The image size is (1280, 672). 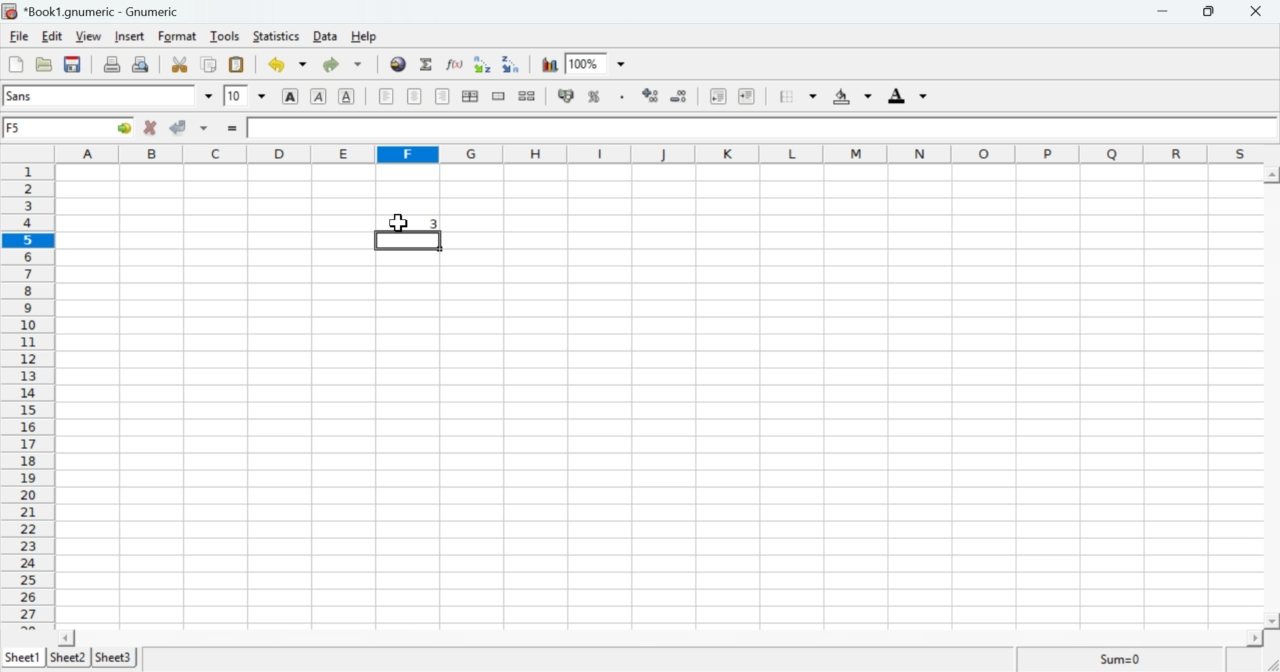 I want to click on Increase the number of decimals, so click(x=650, y=94).